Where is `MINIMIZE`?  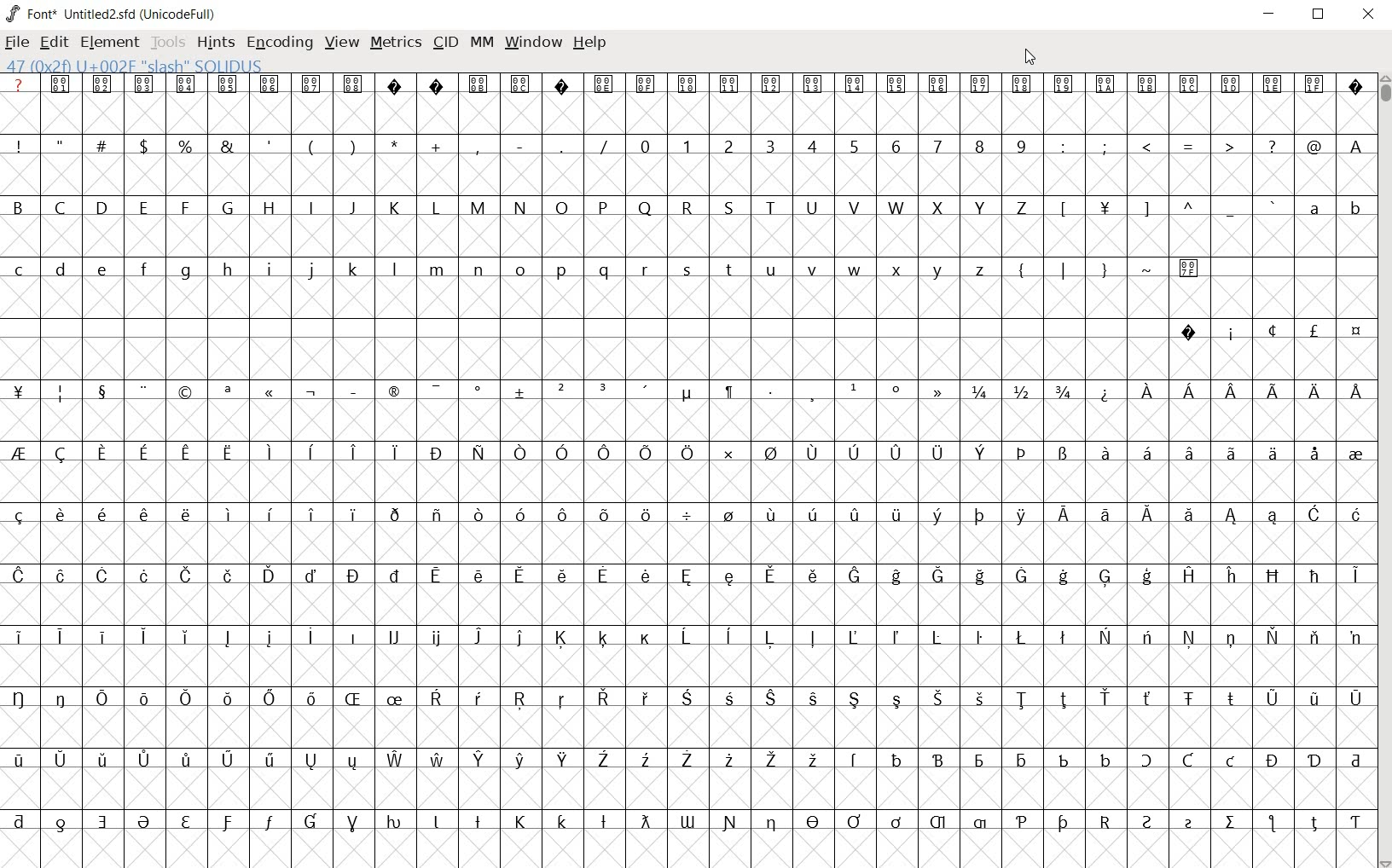
MINIMIZE is located at coordinates (1268, 16).